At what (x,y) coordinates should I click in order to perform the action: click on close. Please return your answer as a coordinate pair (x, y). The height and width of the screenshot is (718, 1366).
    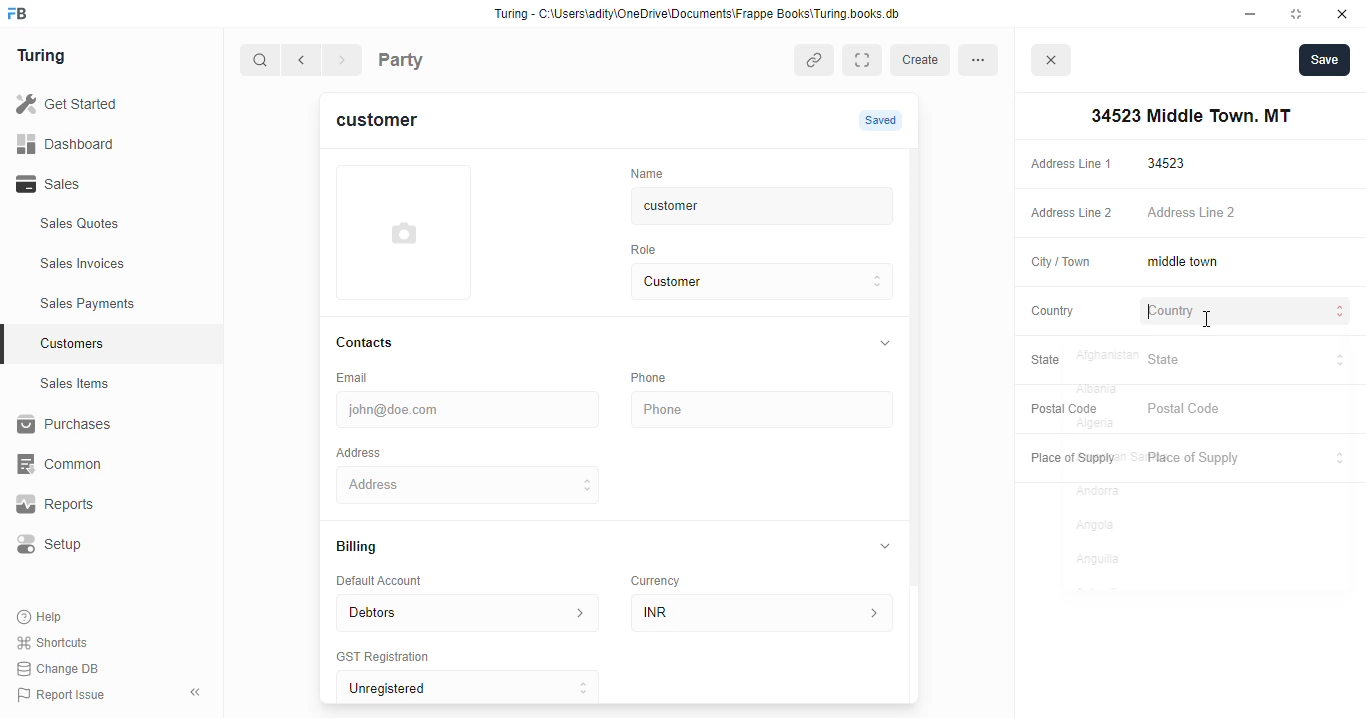
    Looking at the image, I should click on (1345, 14).